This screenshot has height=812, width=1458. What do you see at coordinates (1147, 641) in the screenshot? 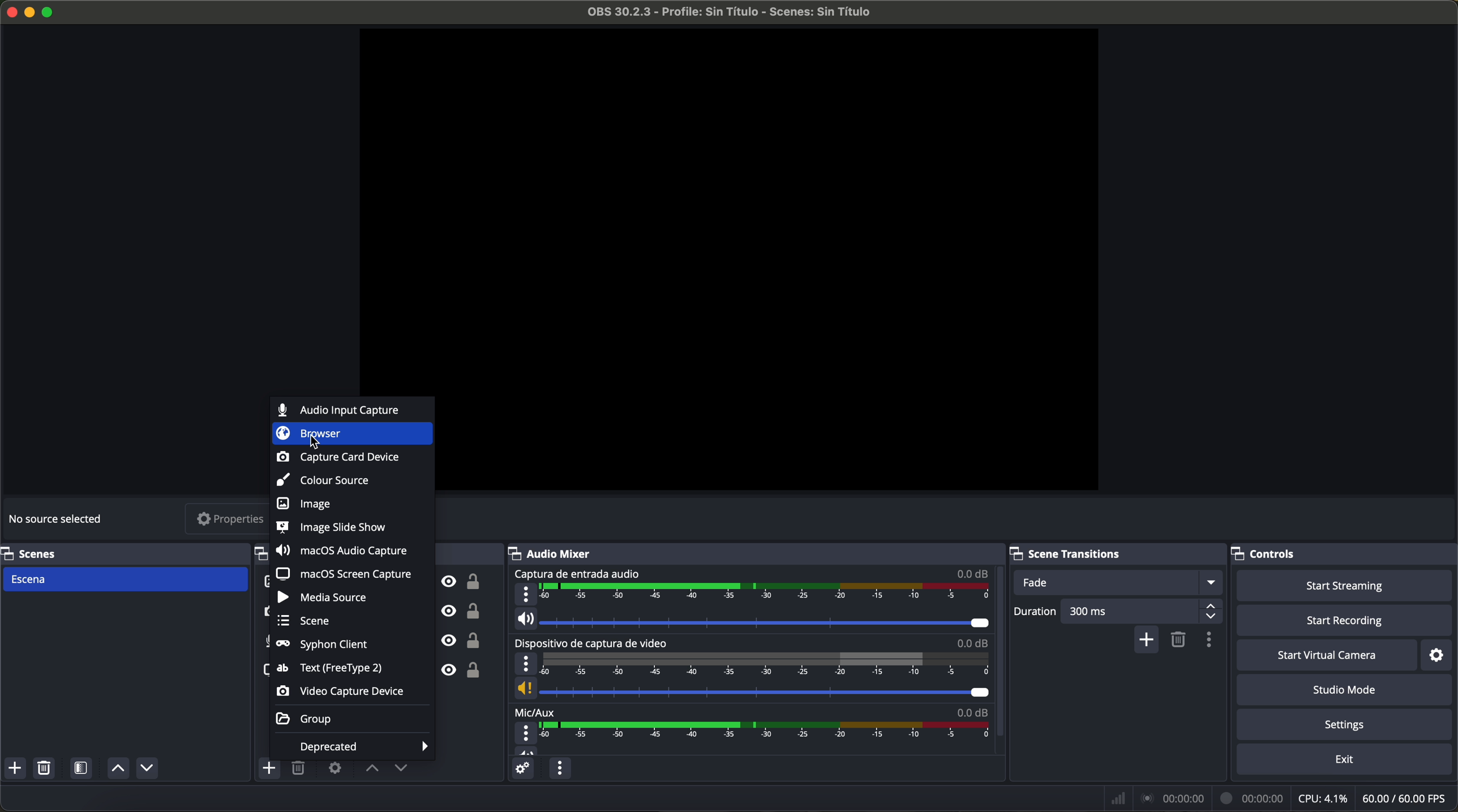
I see `add configurable transition` at bounding box center [1147, 641].